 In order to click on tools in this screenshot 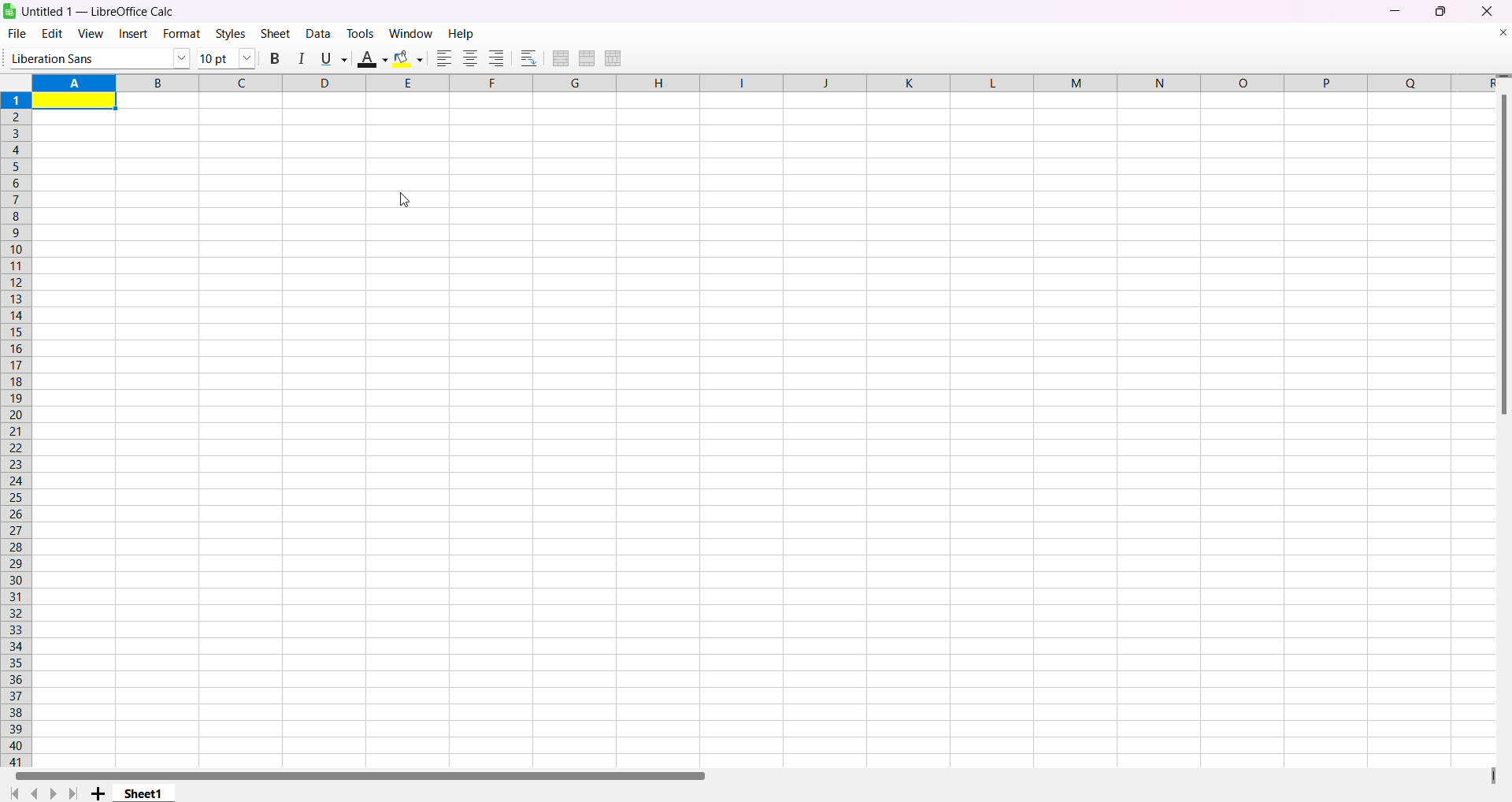, I will do `click(360, 34)`.